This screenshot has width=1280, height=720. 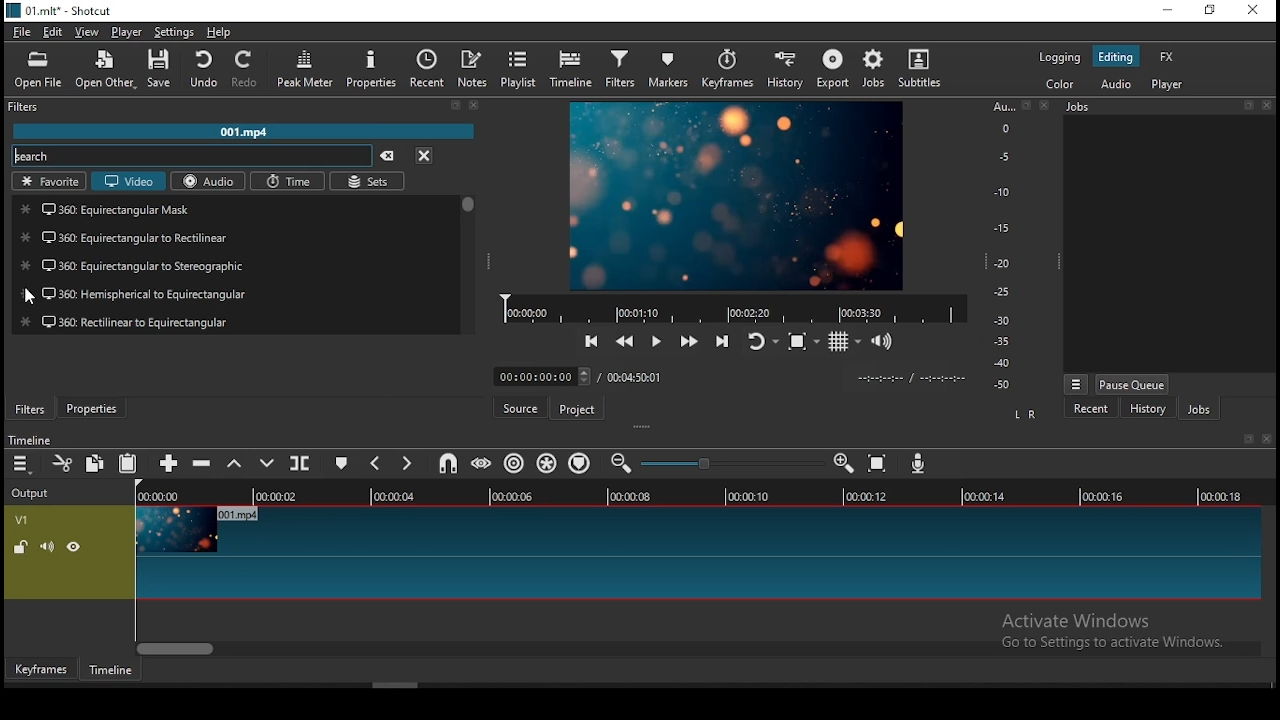 What do you see at coordinates (208, 181) in the screenshot?
I see `audio` at bounding box center [208, 181].